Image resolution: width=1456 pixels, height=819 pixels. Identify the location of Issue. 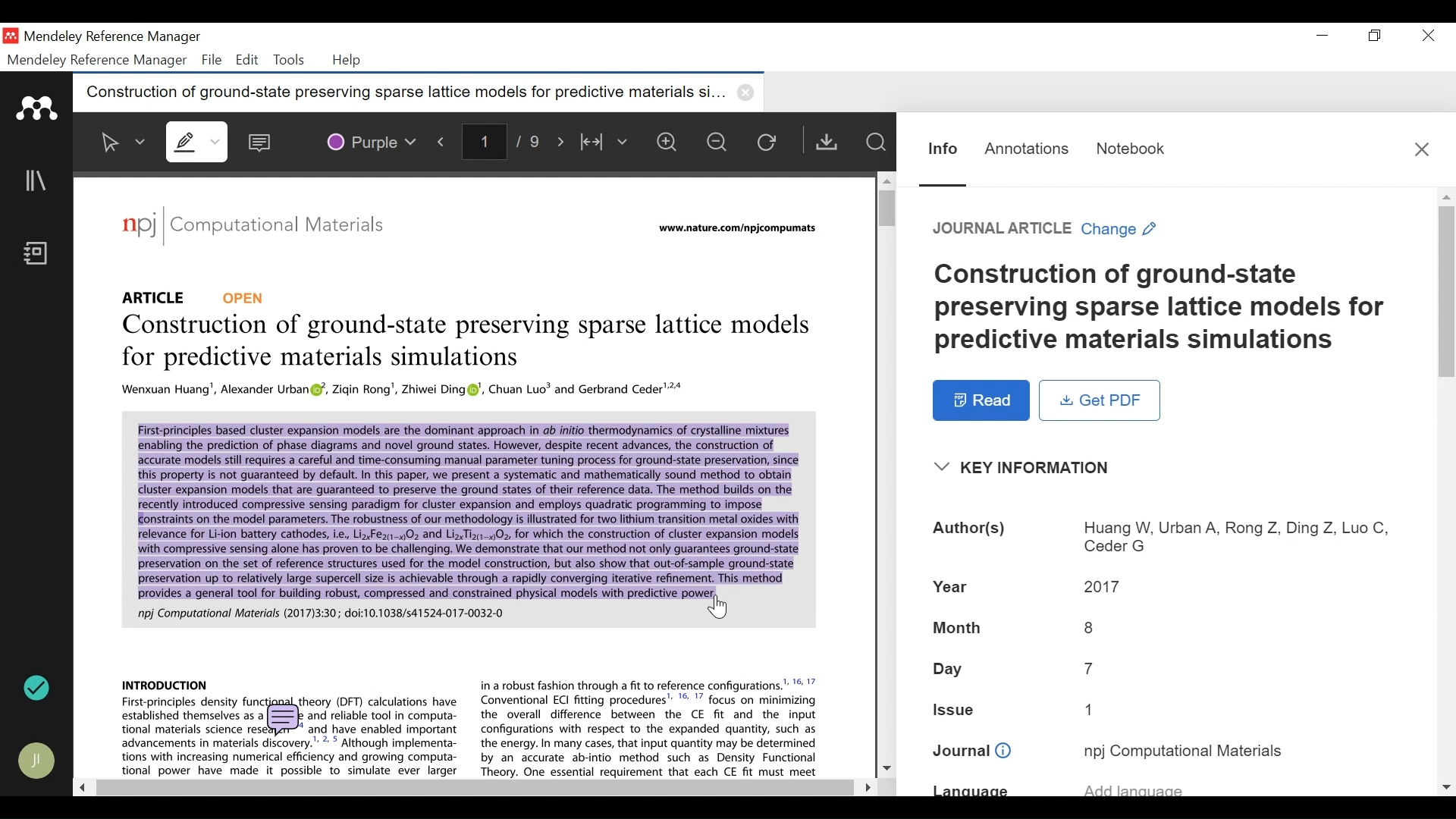
(955, 708).